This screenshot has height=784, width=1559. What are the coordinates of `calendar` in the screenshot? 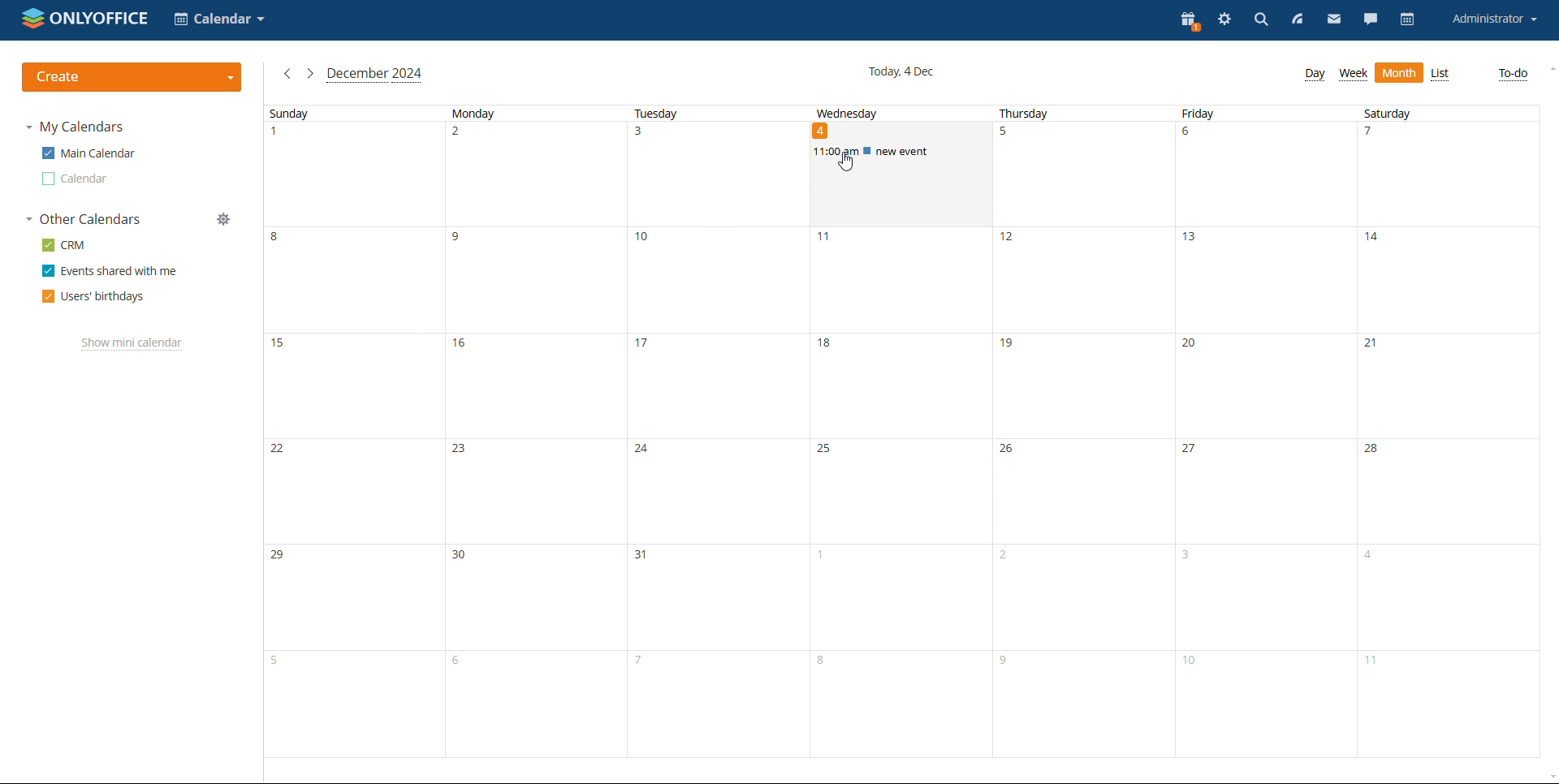 It's located at (74, 179).